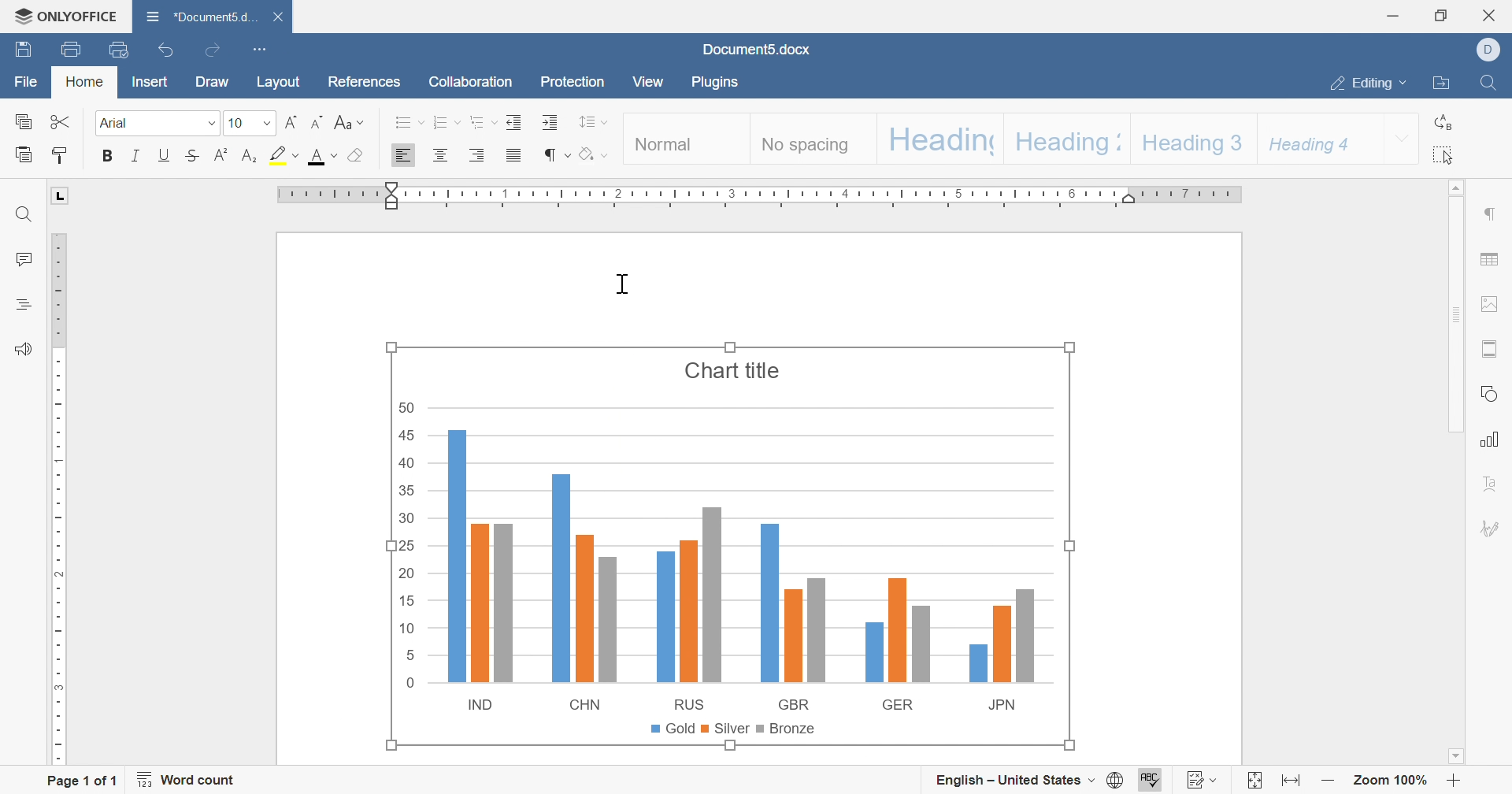 This screenshot has width=1512, height=794. What do you see at coordinates (1329, 781) in the screenshot?
I see `zoom out` at bounding box center [1329, 781].